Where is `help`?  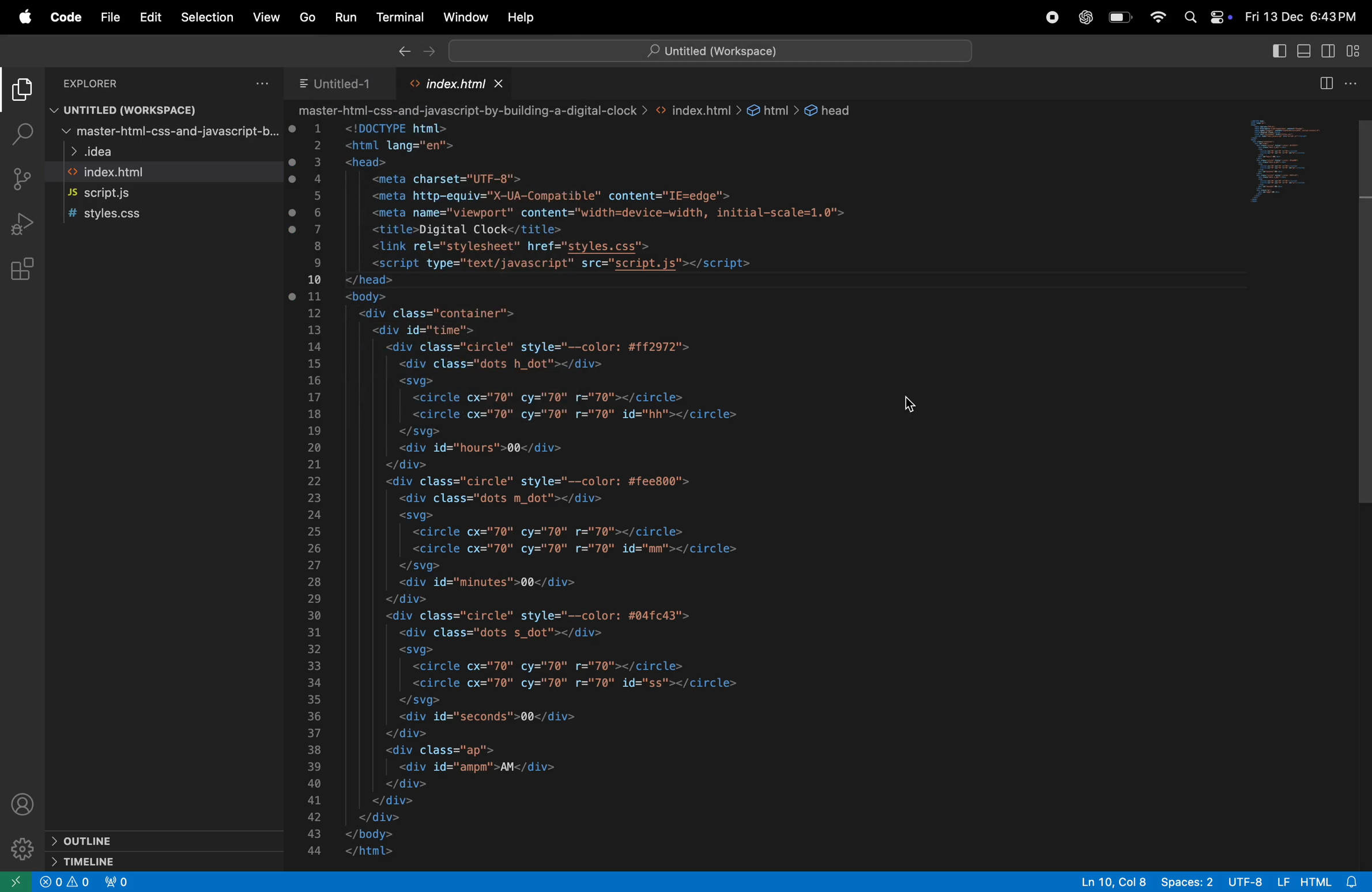
help is located at coordinates (527, 17).